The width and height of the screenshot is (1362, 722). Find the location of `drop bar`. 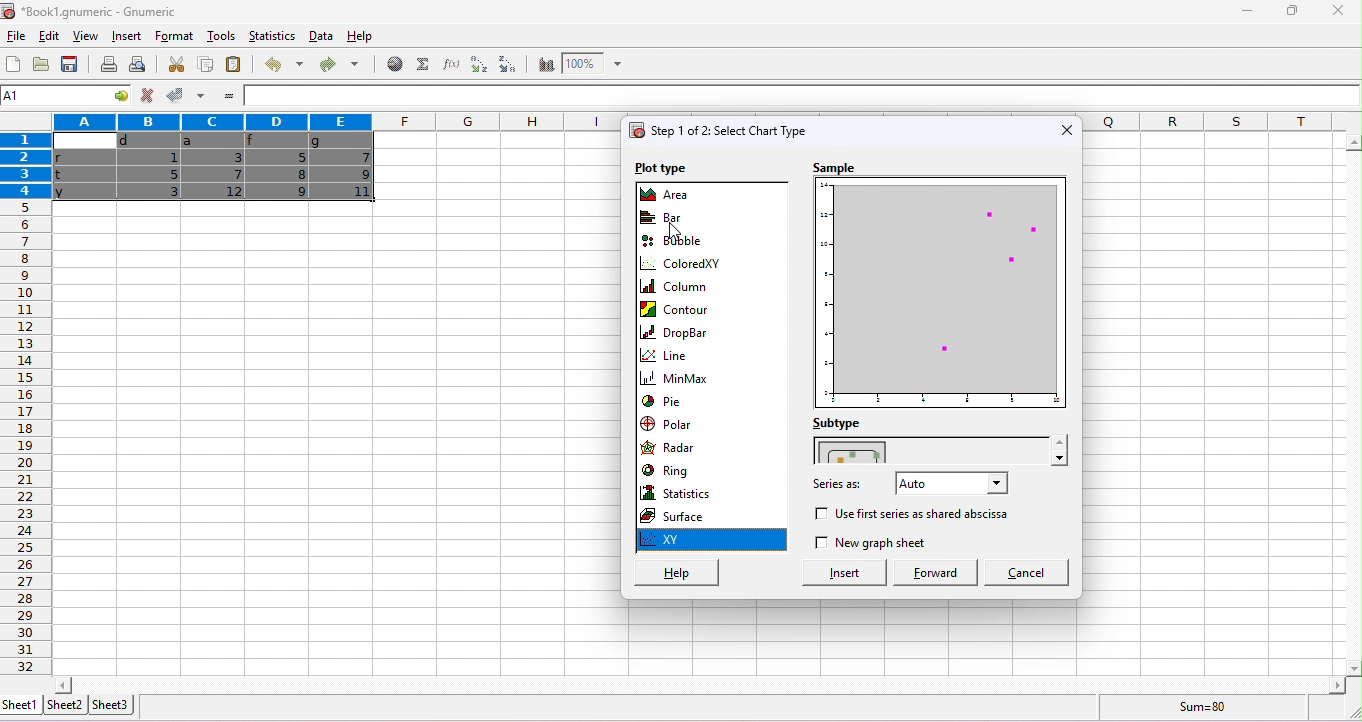

drop bar is located at coordinates (679, 334).